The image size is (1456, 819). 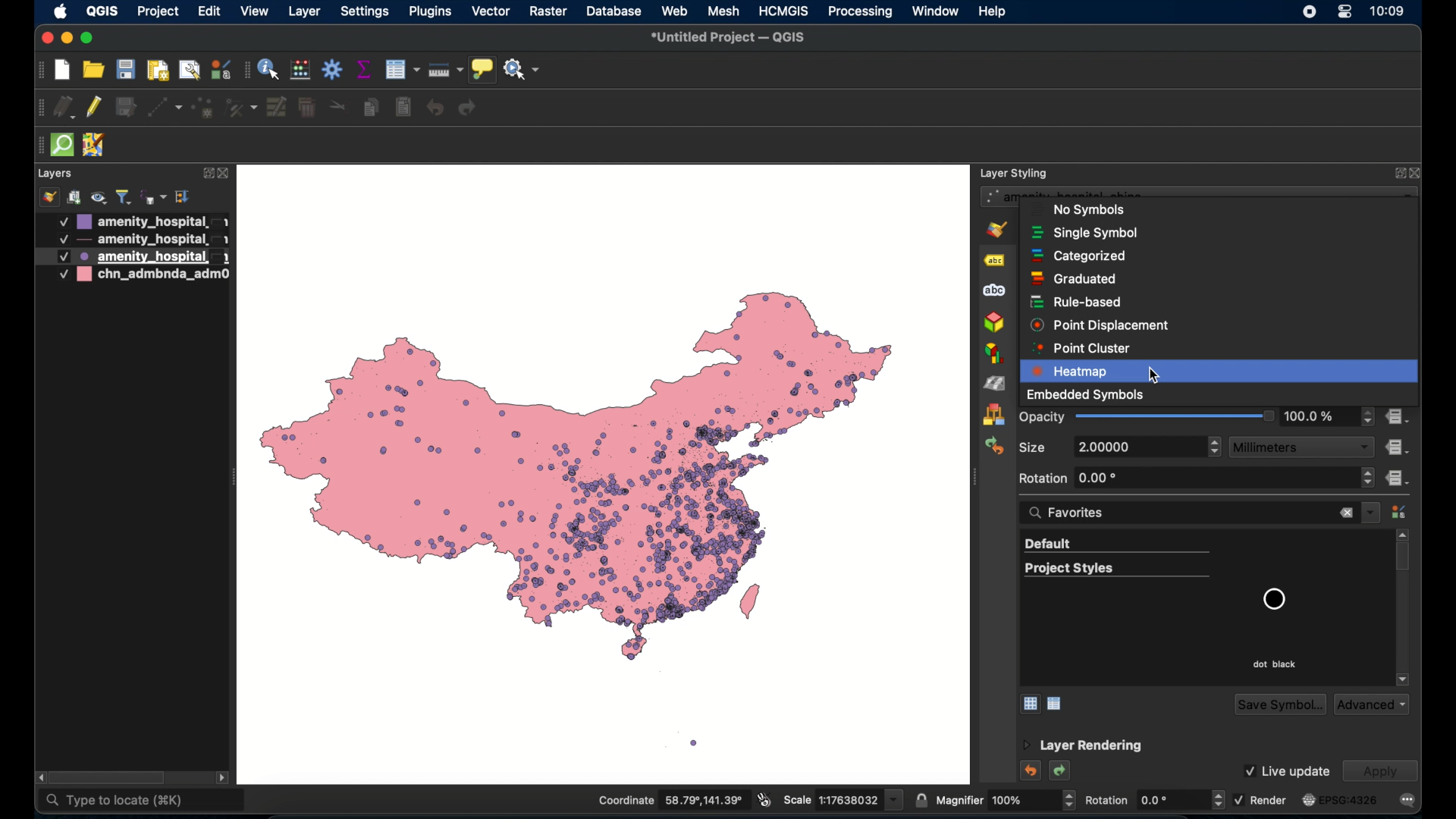 I want to click on modify attributes, so click(x=277, y=108).